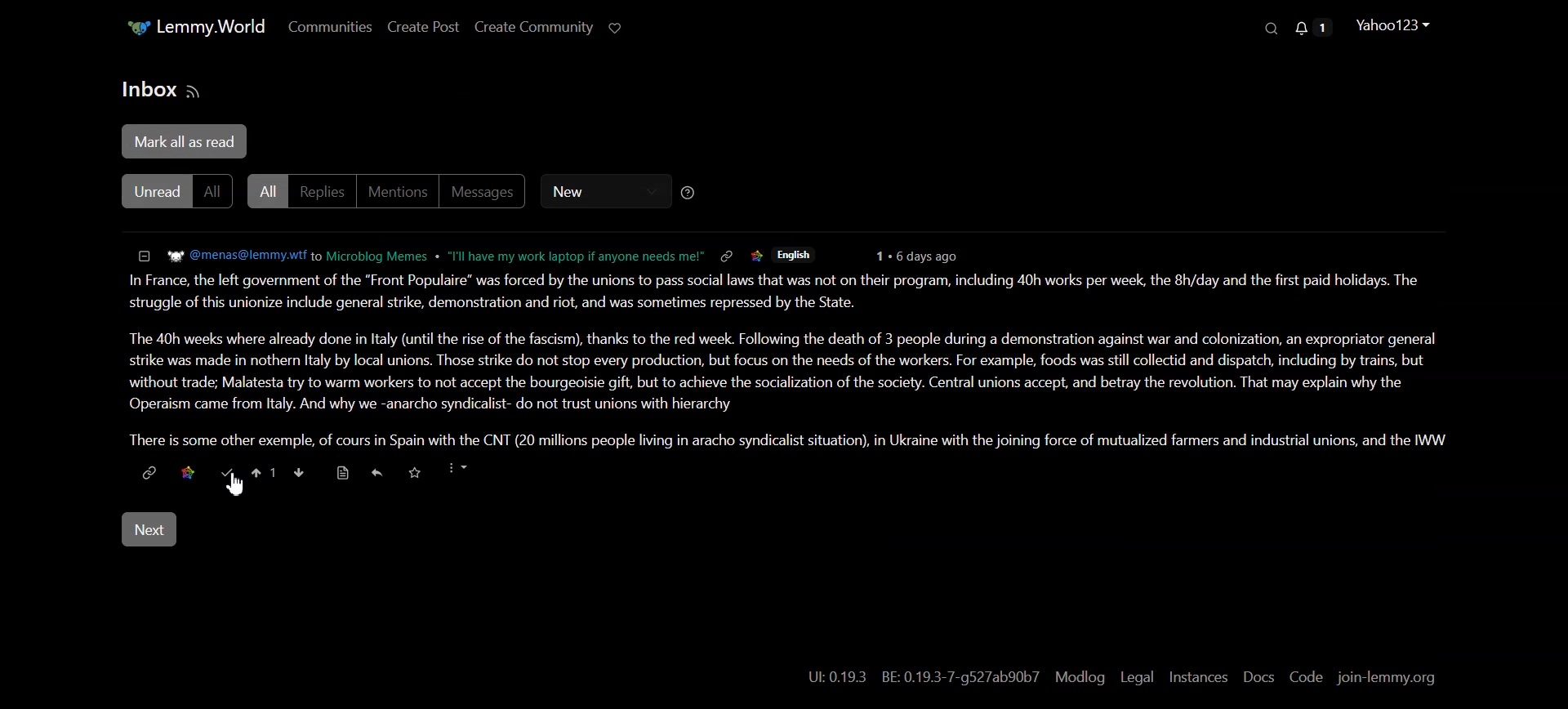 Image resolution: width=1568 pixels, height=709 pixels. What do you see at coordinates (267, 191) in the screenshot?
I see `All` at bounding box center [267, 191].